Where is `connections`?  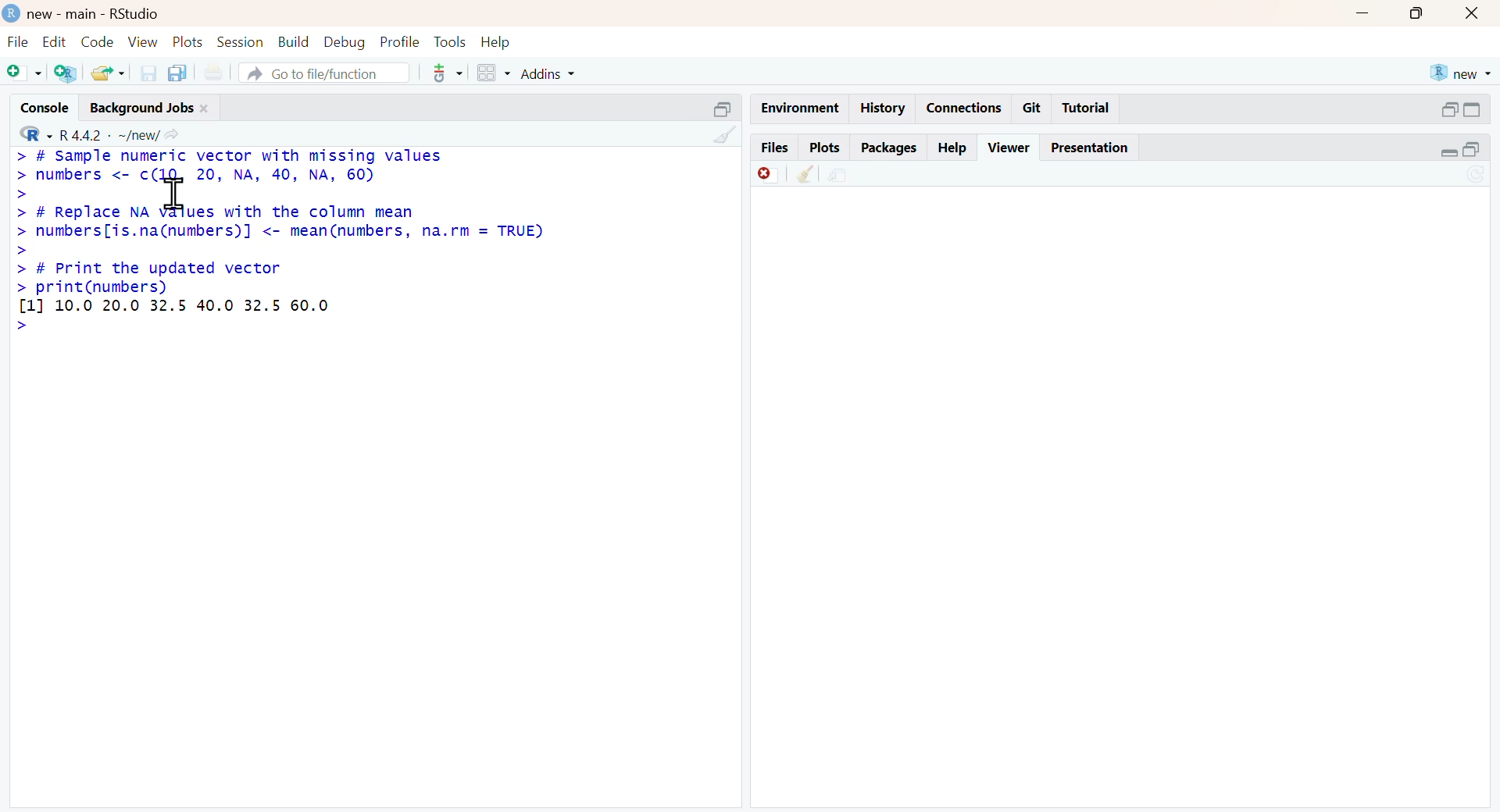 connections is located at coordinates (968, 107).